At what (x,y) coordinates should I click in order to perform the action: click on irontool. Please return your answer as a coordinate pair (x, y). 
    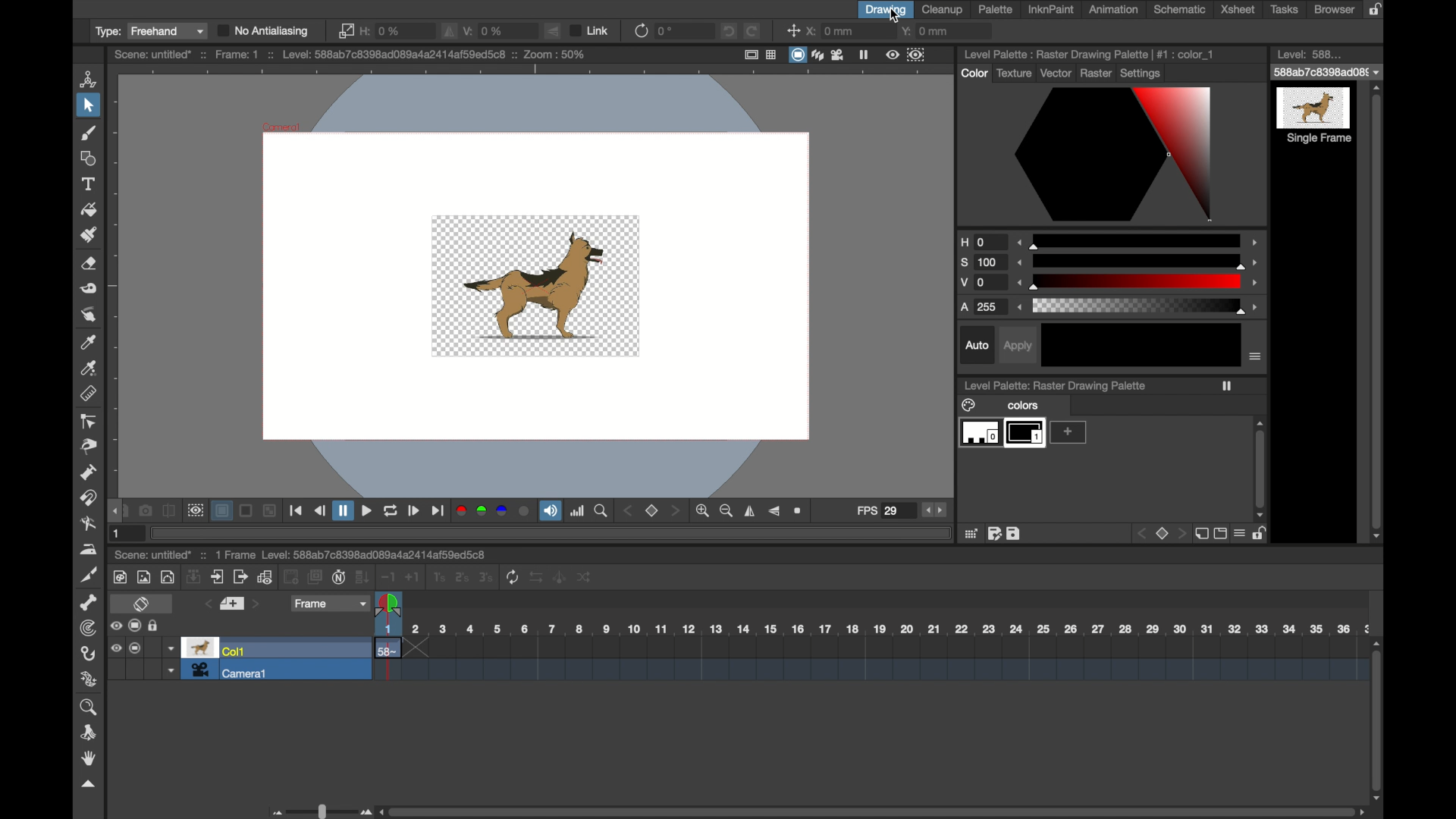
    Looking at the image, I should click on (86, 550).